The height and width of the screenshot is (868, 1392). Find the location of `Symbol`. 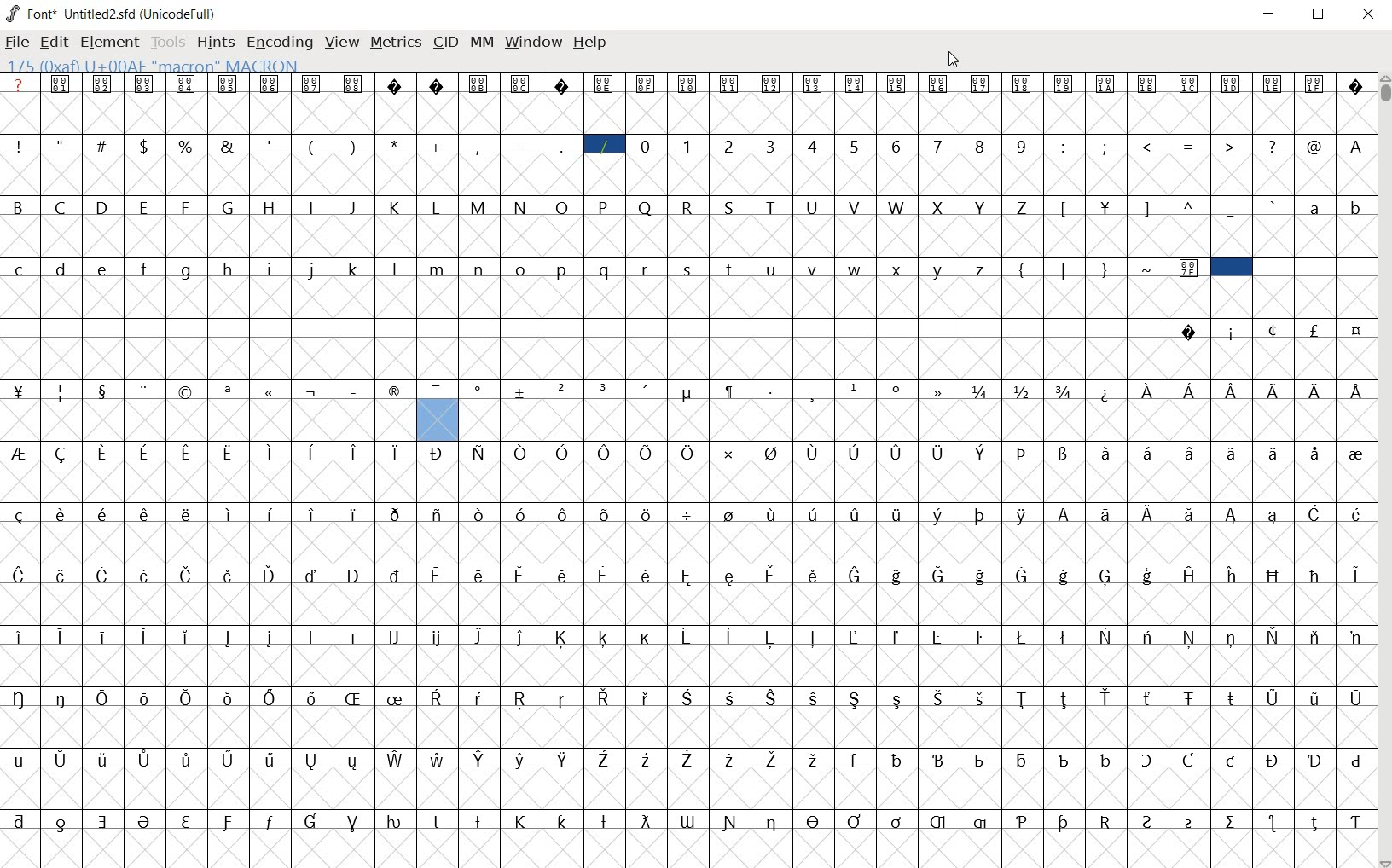

Symbol is located at coordinates (396, 513).